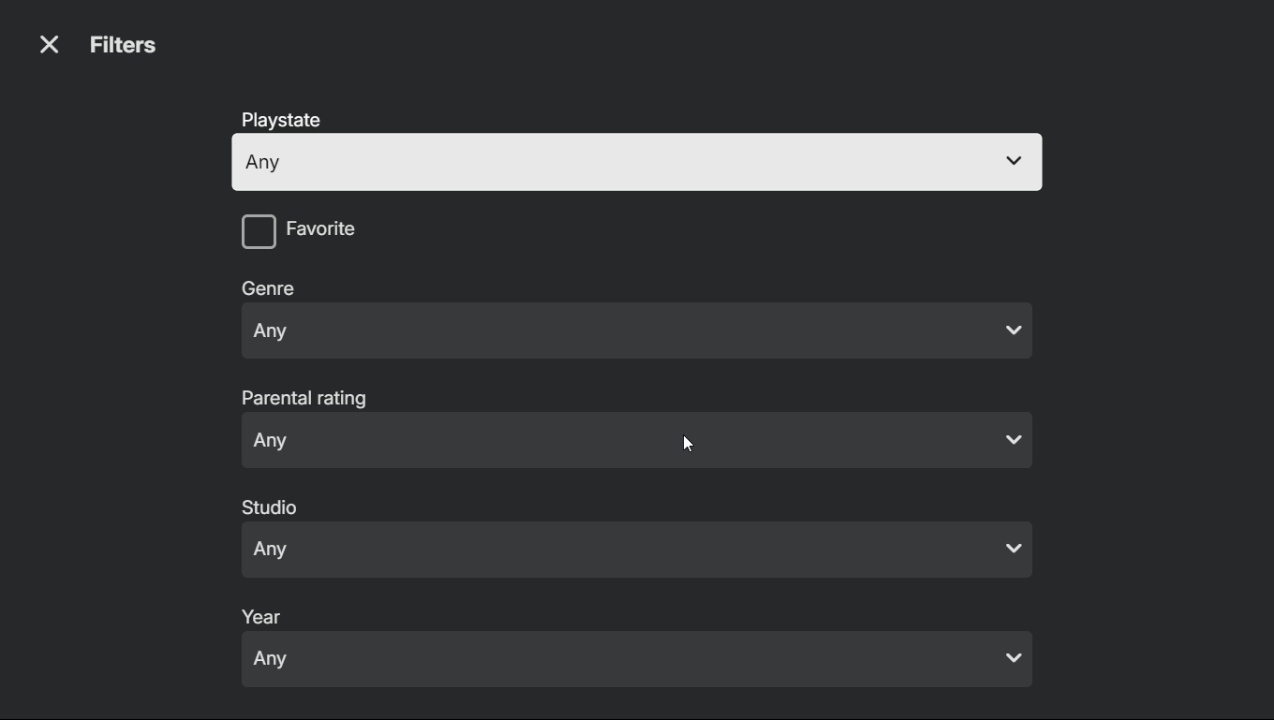 The height and width of the screenshot is (720, 1274). I want to click on genre, so click(301, 289).